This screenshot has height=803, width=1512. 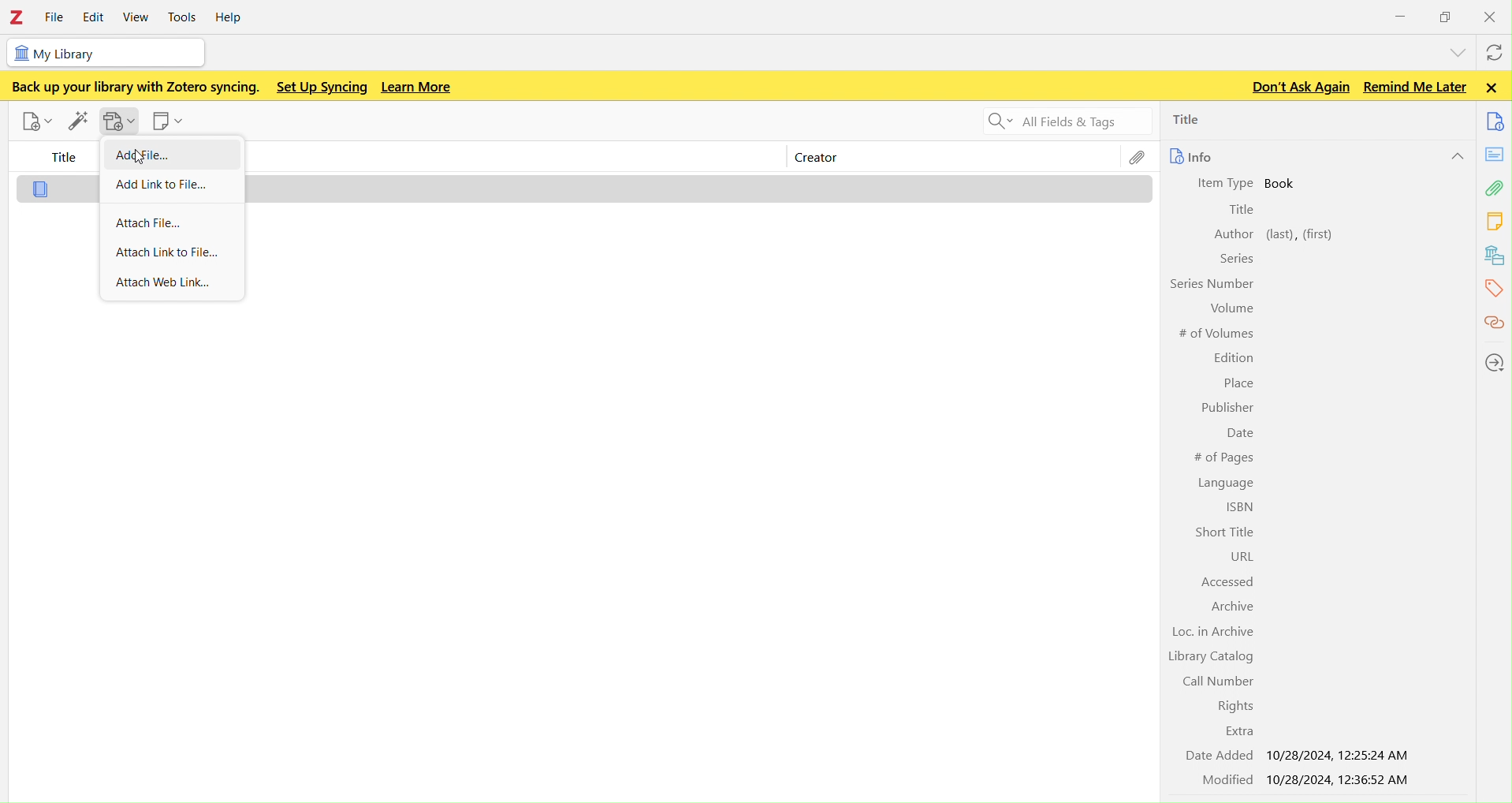 What do you see at coordinates (1401, 13) in the screenshot?
I see `minimize` at bounding box center [1401, 13].